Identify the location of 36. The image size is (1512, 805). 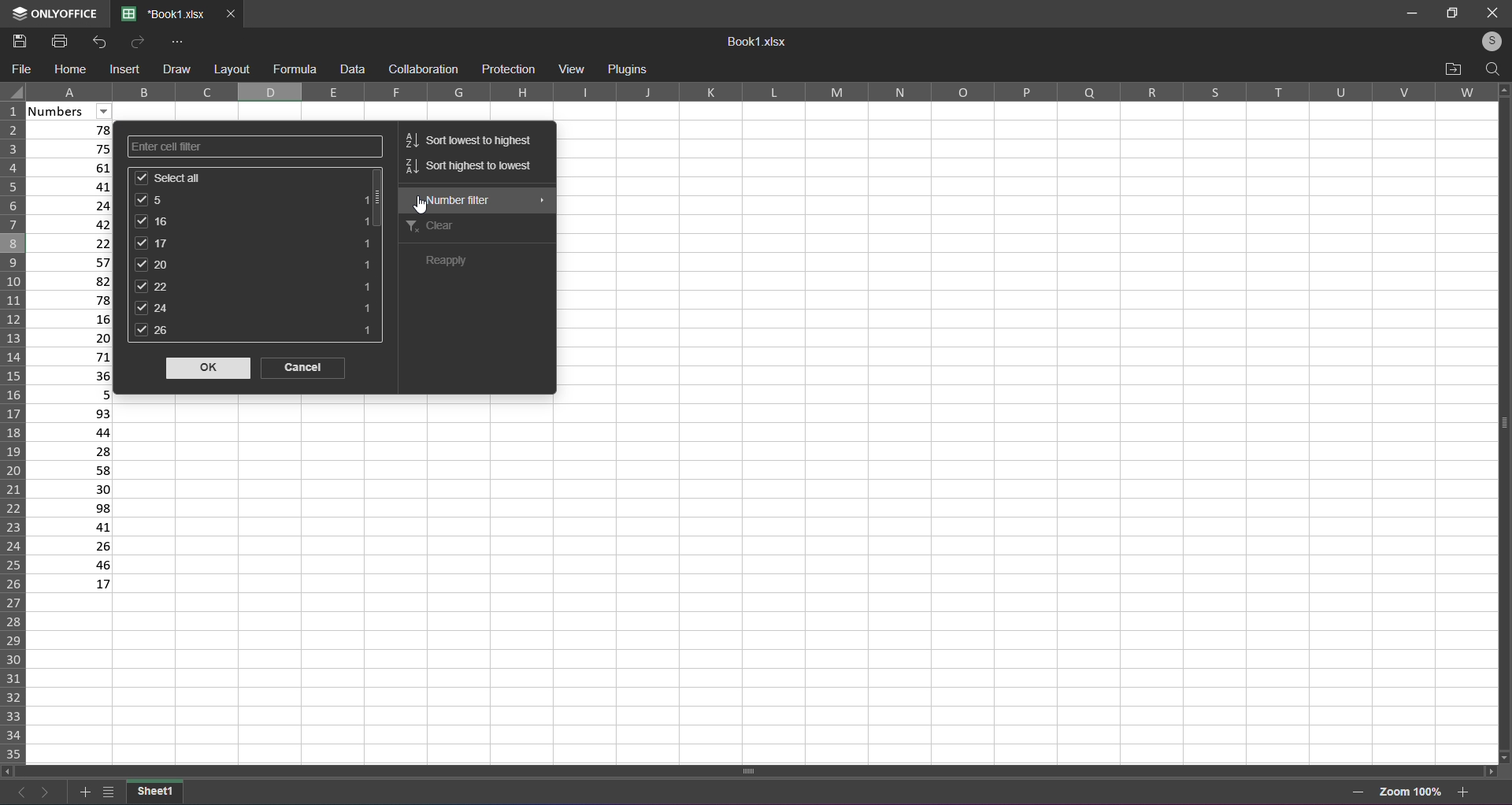
(75, 377).